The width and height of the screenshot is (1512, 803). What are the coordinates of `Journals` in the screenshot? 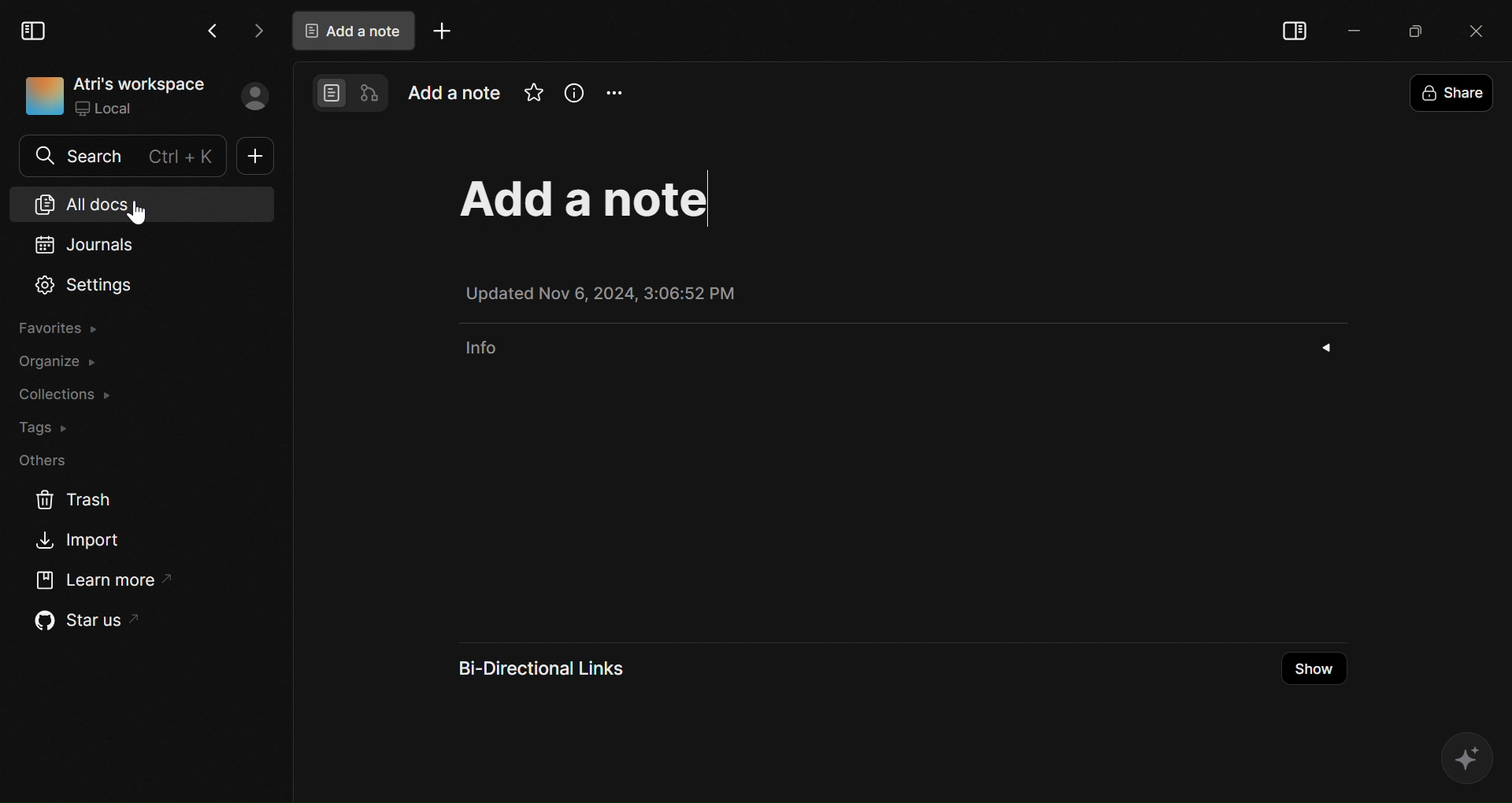 It's located at (105, 244).